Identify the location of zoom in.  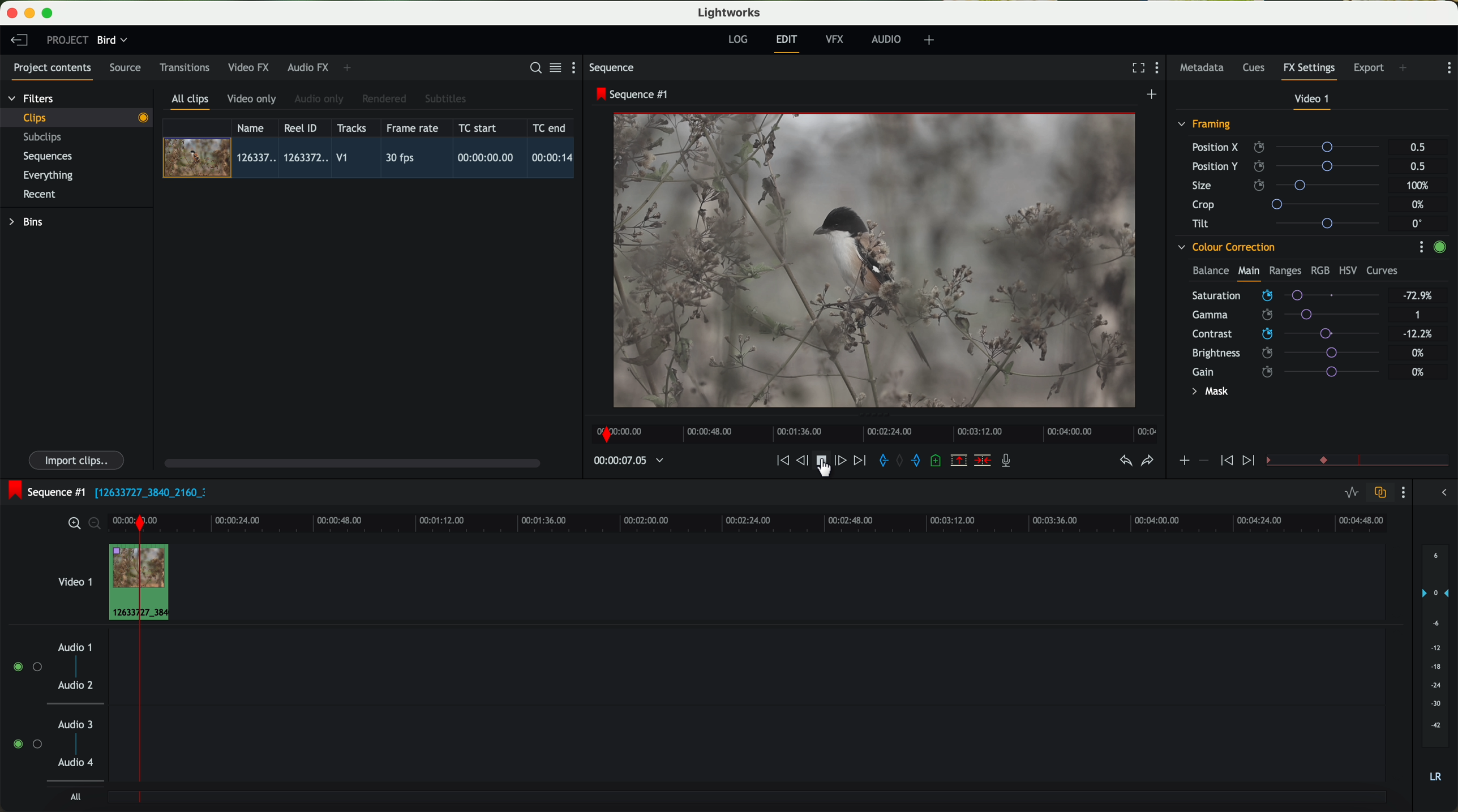
(72, 524).